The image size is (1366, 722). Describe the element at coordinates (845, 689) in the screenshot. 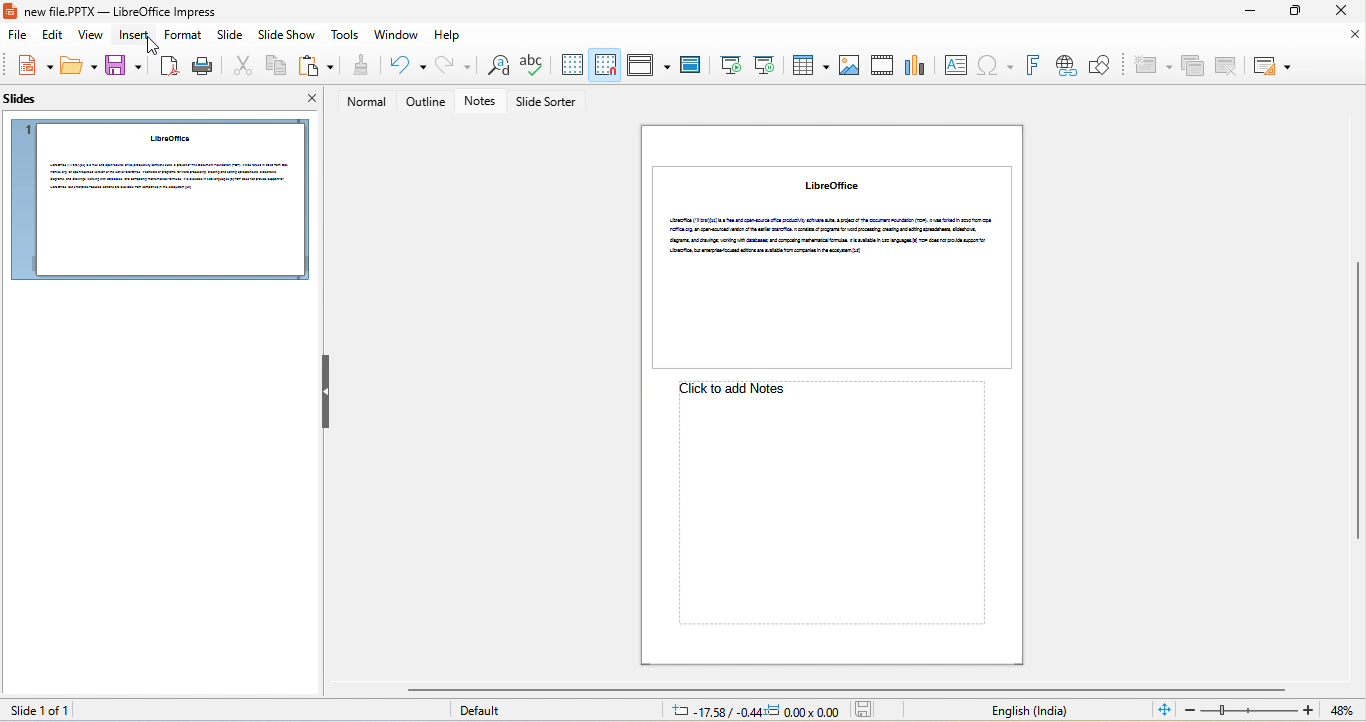

I see `horizontal scrollbar` at that location.